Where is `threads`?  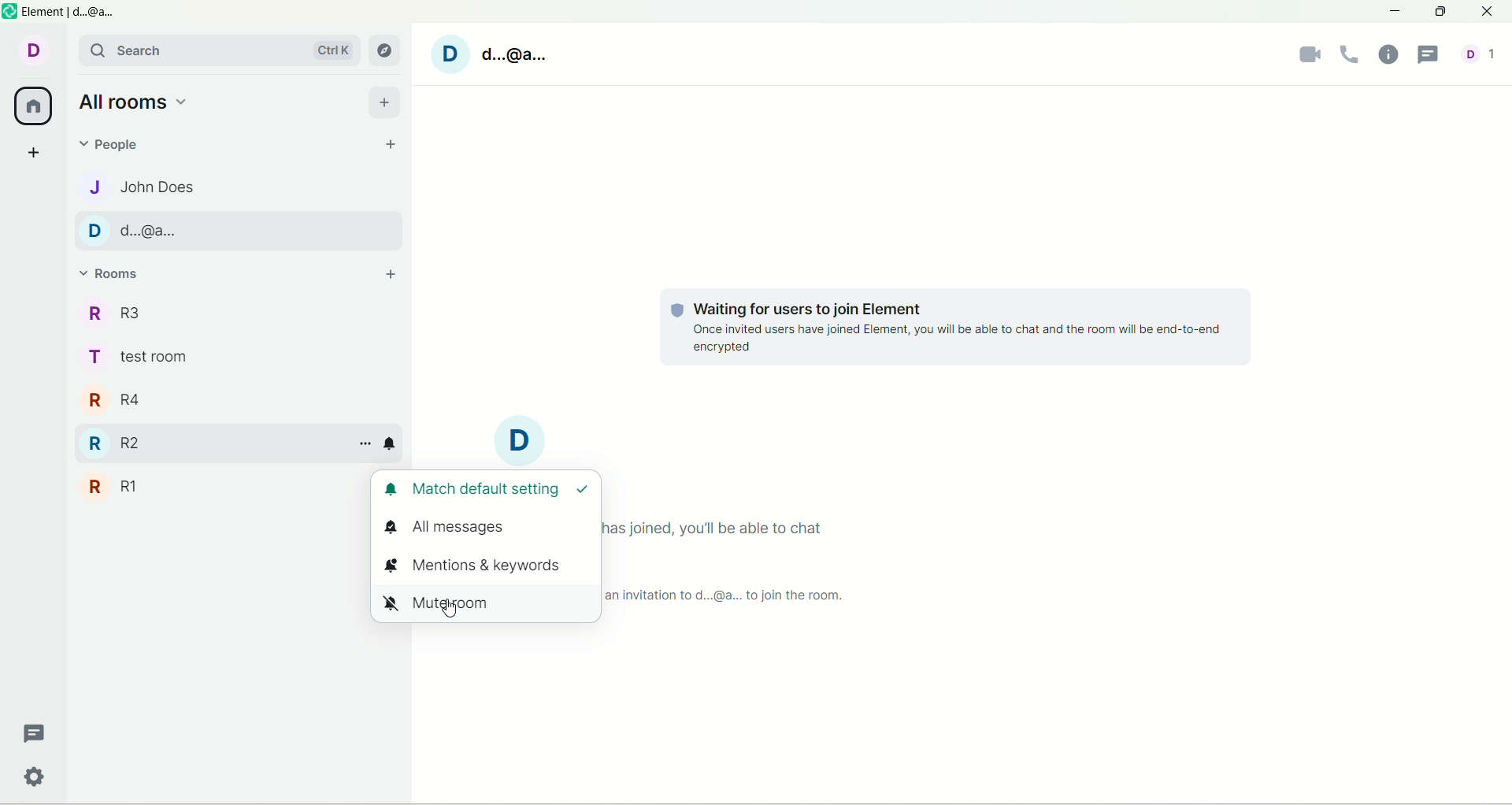 threads is located at coordinates (1428, 54).